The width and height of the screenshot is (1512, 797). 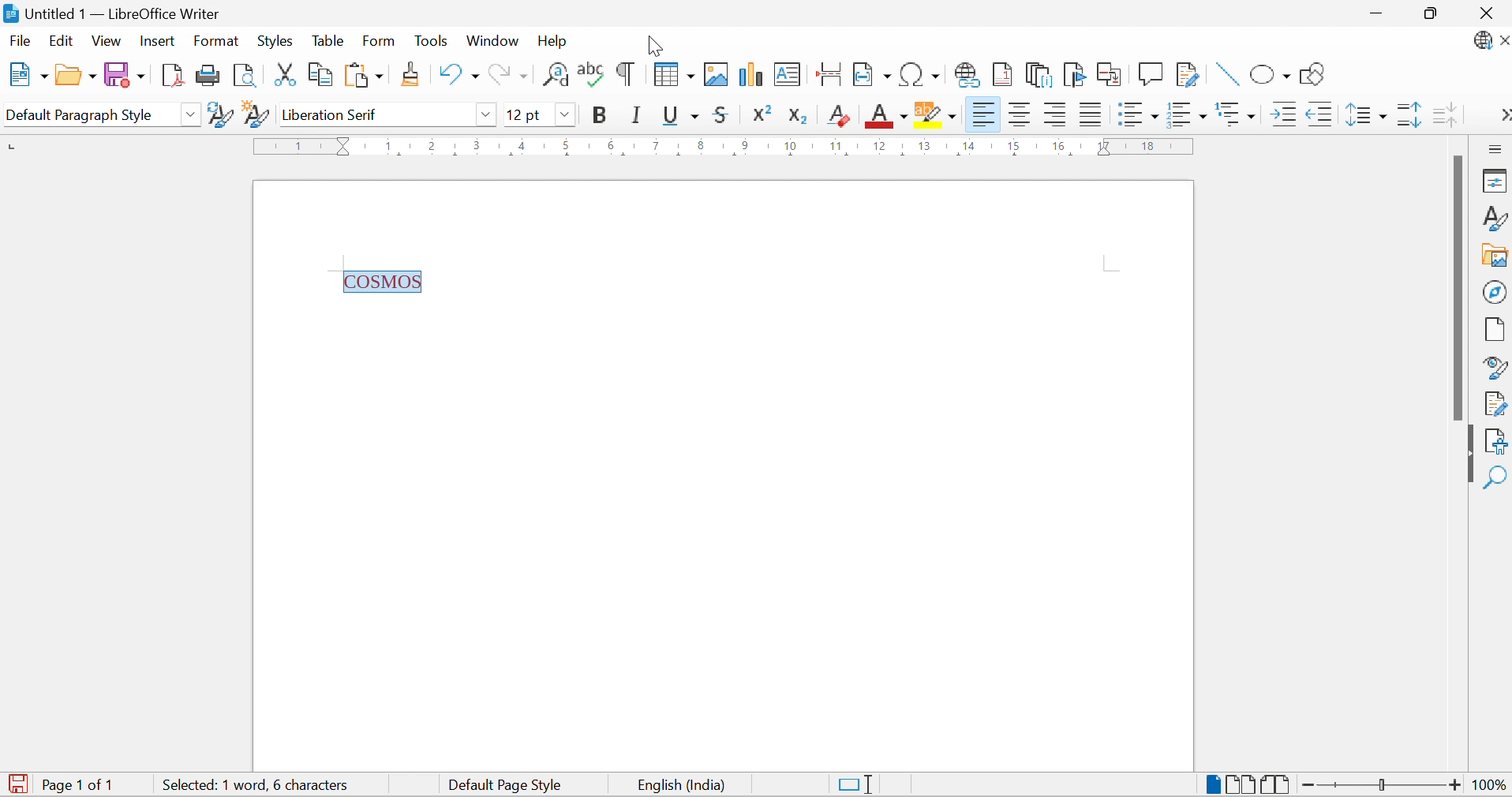 What do you see at coordinates (924, 146) in the screenshot?
I see `13` at bounding box center [924, 146].